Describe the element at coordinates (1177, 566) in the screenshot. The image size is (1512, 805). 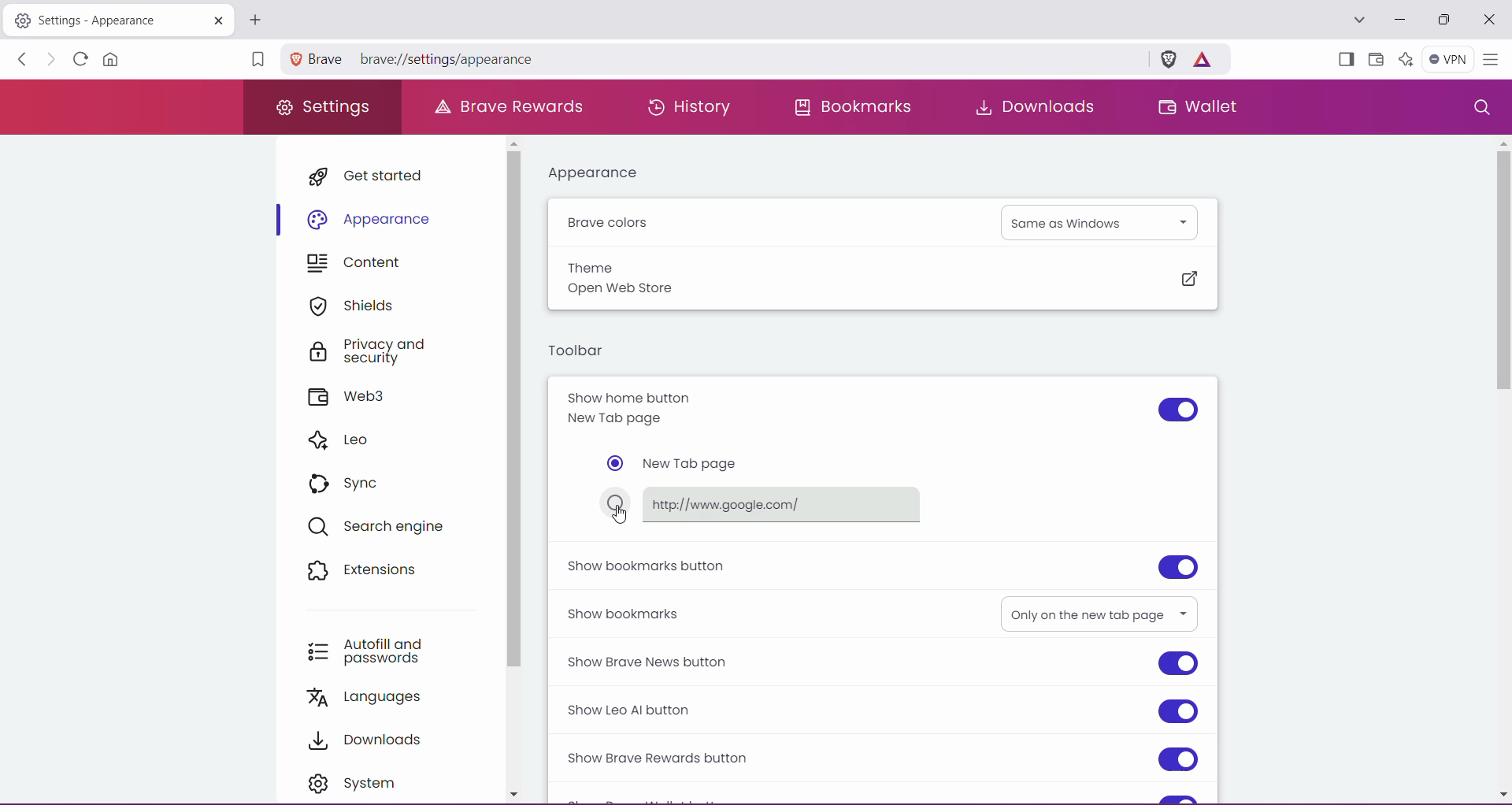
I see `Click to show bookmarks button` at that location.